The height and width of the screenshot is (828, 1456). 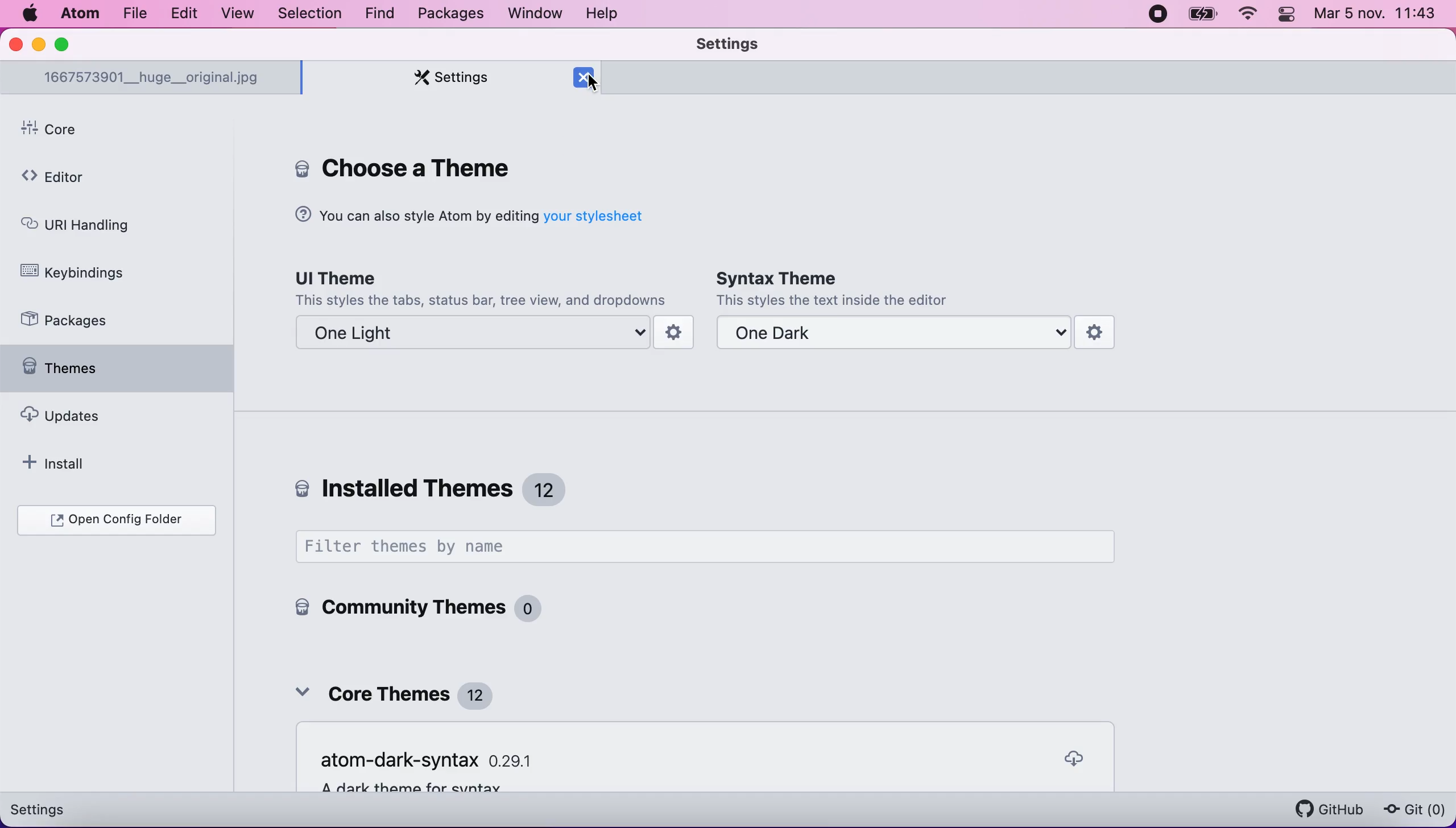 I want to click on core settings, so click(x=408, y=166).